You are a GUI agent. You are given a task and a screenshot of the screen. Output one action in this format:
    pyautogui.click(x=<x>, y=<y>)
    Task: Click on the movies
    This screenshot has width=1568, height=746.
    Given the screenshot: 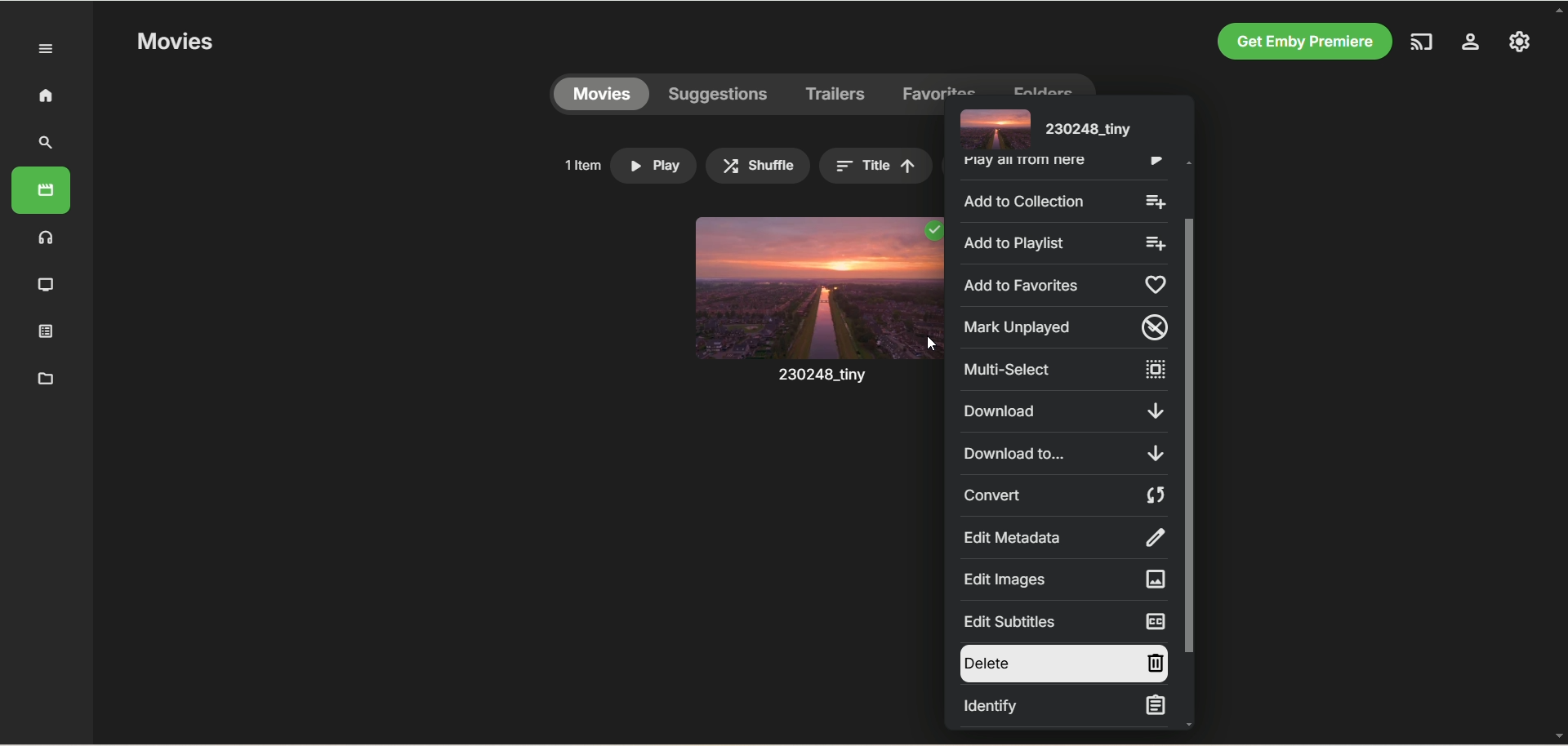 What is the action you would take?
    pyautogui.click(x=174, y=42)
    